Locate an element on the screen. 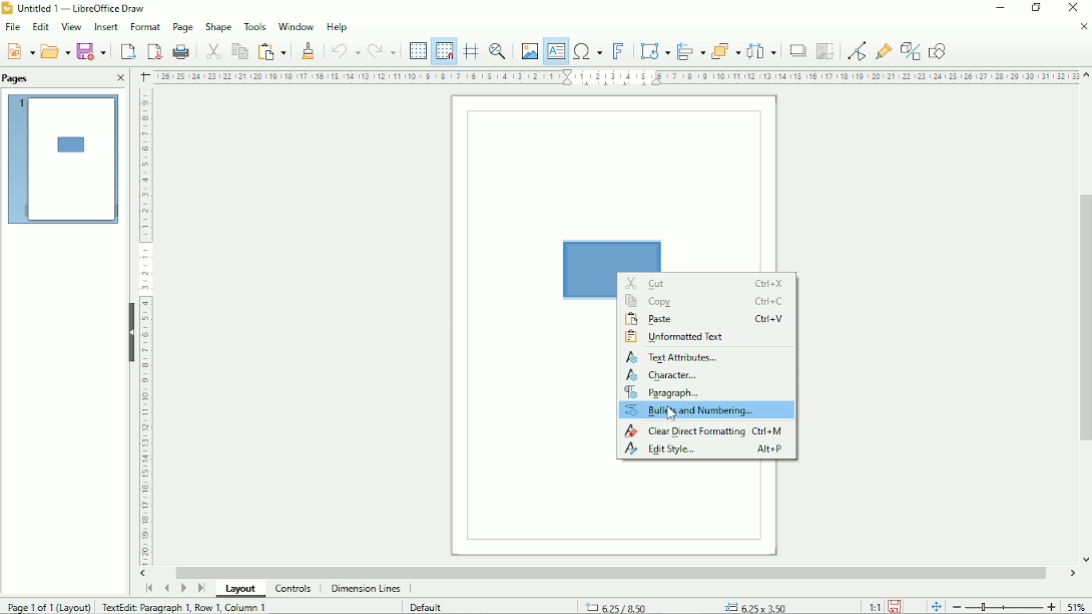 This screenshot has height=614, width=1092. Open is located at coordinates (54, 51).